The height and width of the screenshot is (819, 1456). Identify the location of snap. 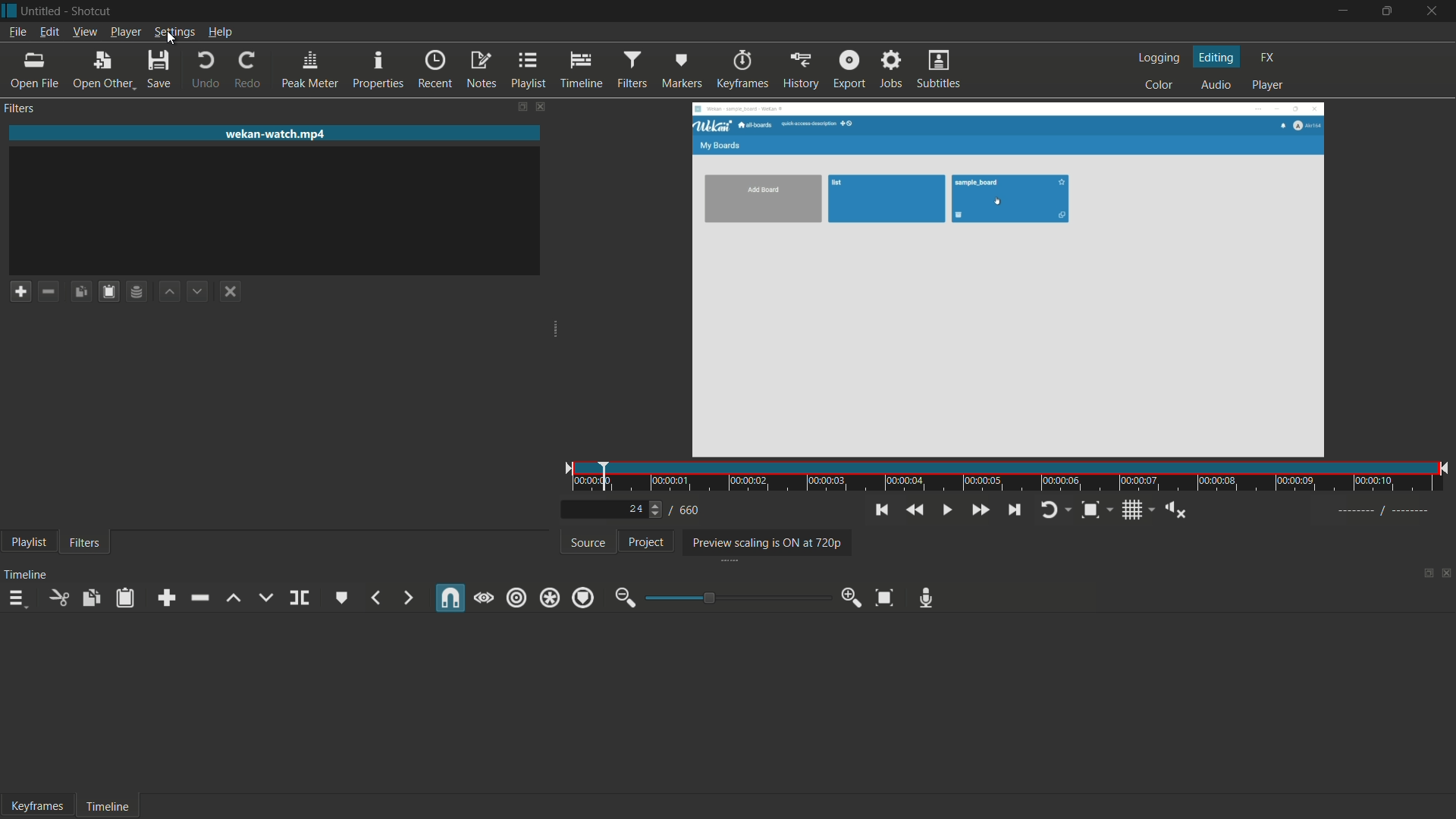
(450, 600).